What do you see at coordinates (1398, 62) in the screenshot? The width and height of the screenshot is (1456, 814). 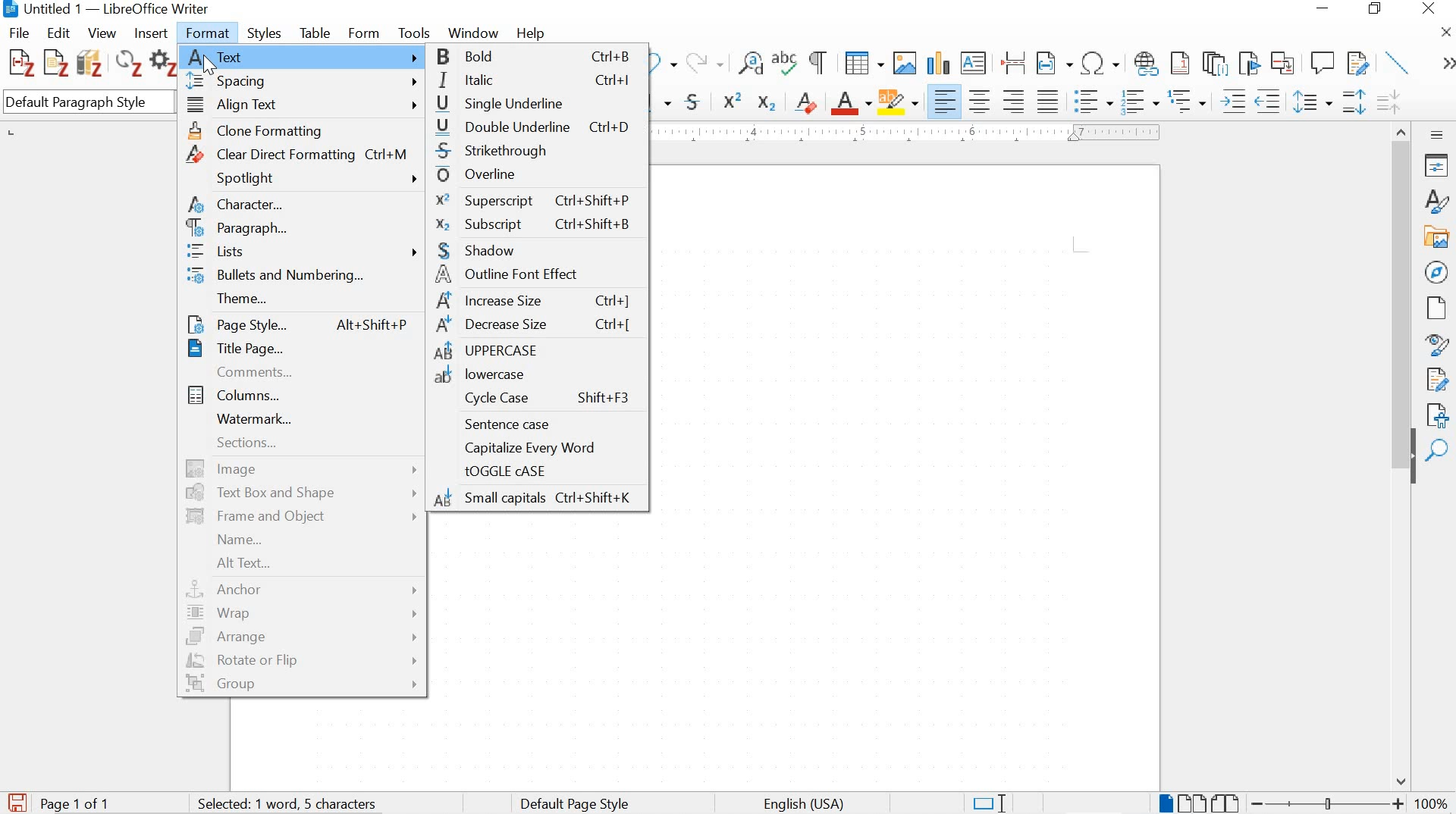 I see `insert line` at bounding box center [1398, 62].